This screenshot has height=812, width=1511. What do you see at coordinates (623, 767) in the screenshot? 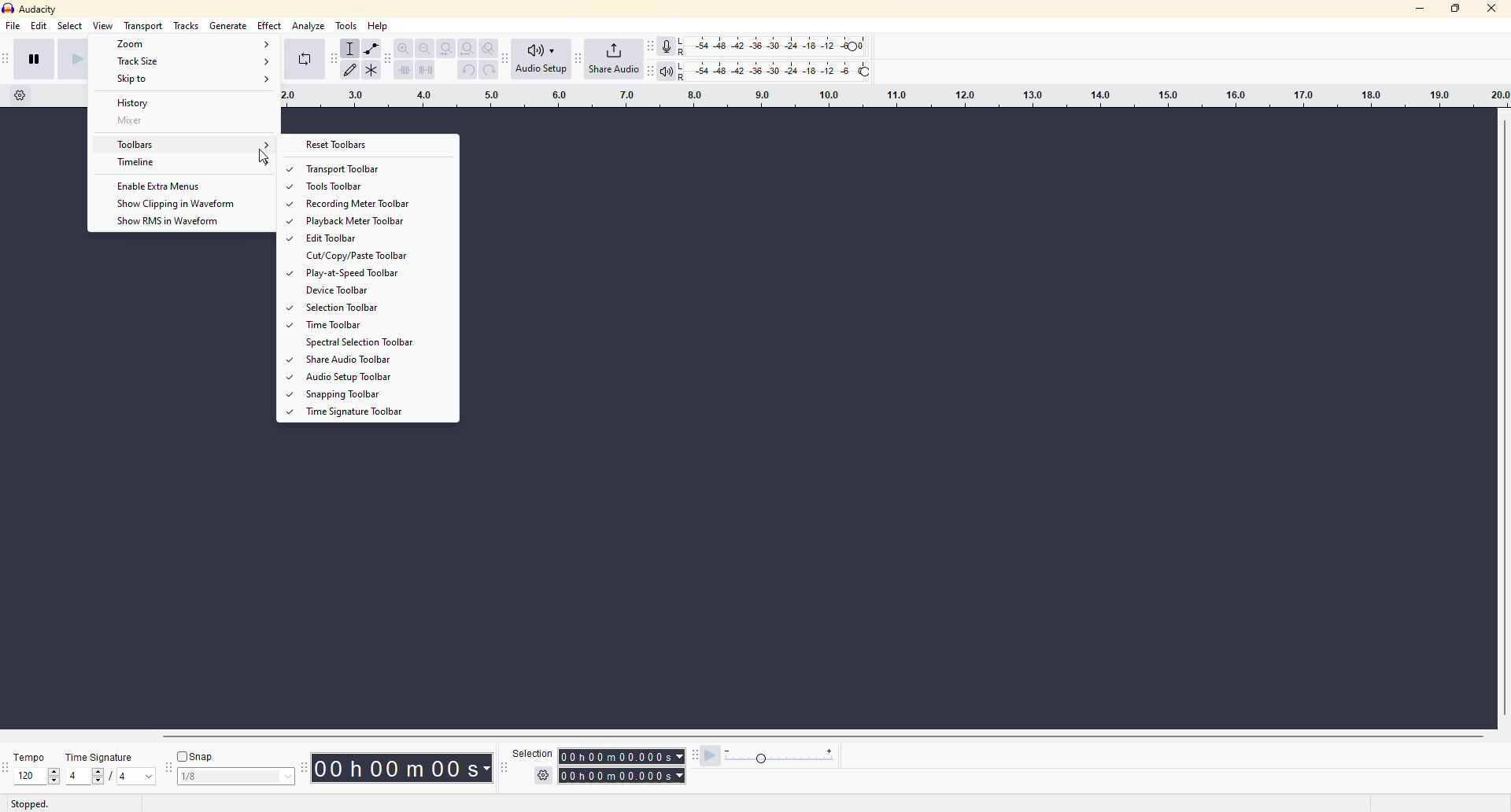
I see `time` at bounding box center [623, 767].